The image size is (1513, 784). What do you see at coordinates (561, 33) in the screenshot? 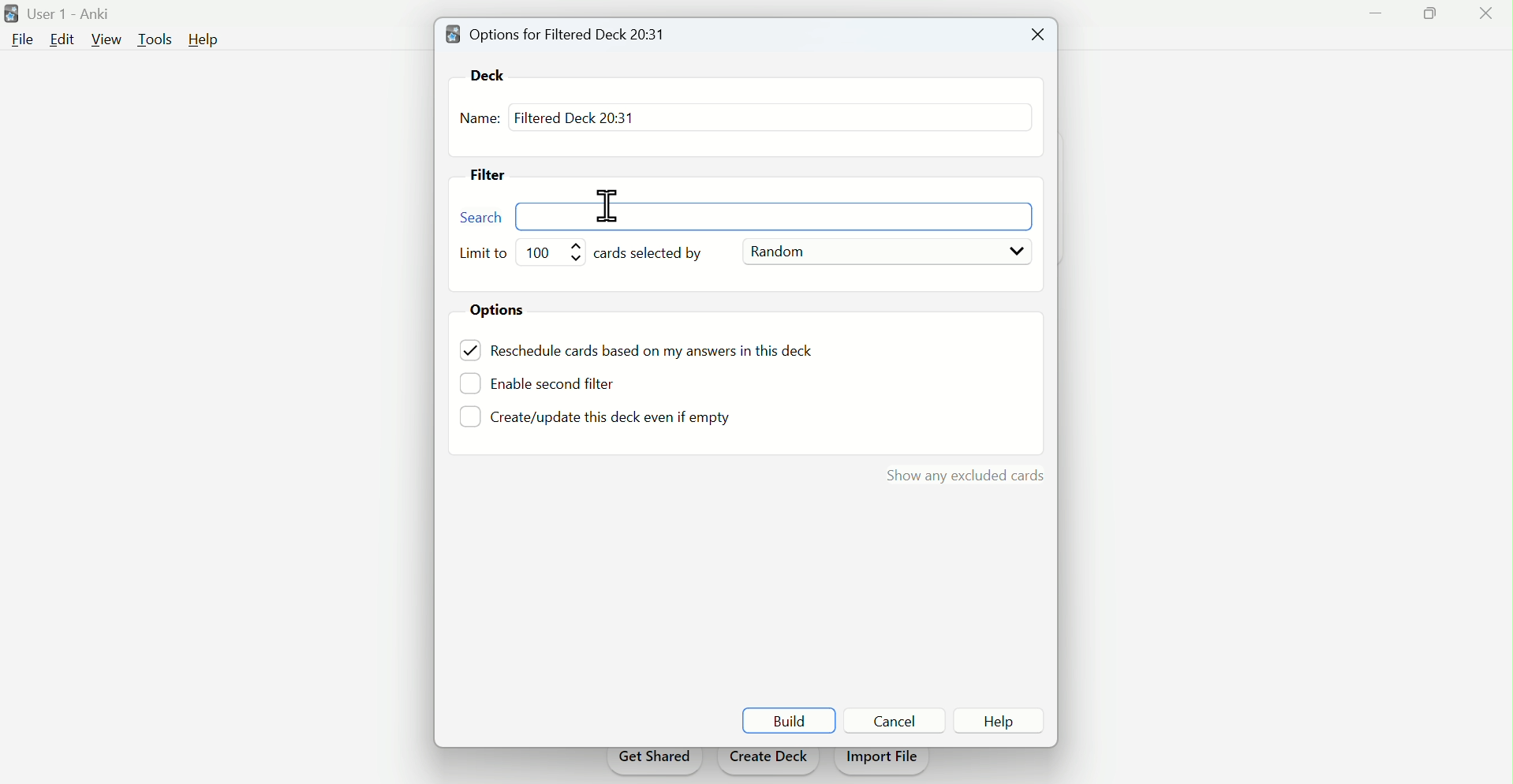
I see `Options for filtered deck 20: 31` at bounding box center [561, 33].